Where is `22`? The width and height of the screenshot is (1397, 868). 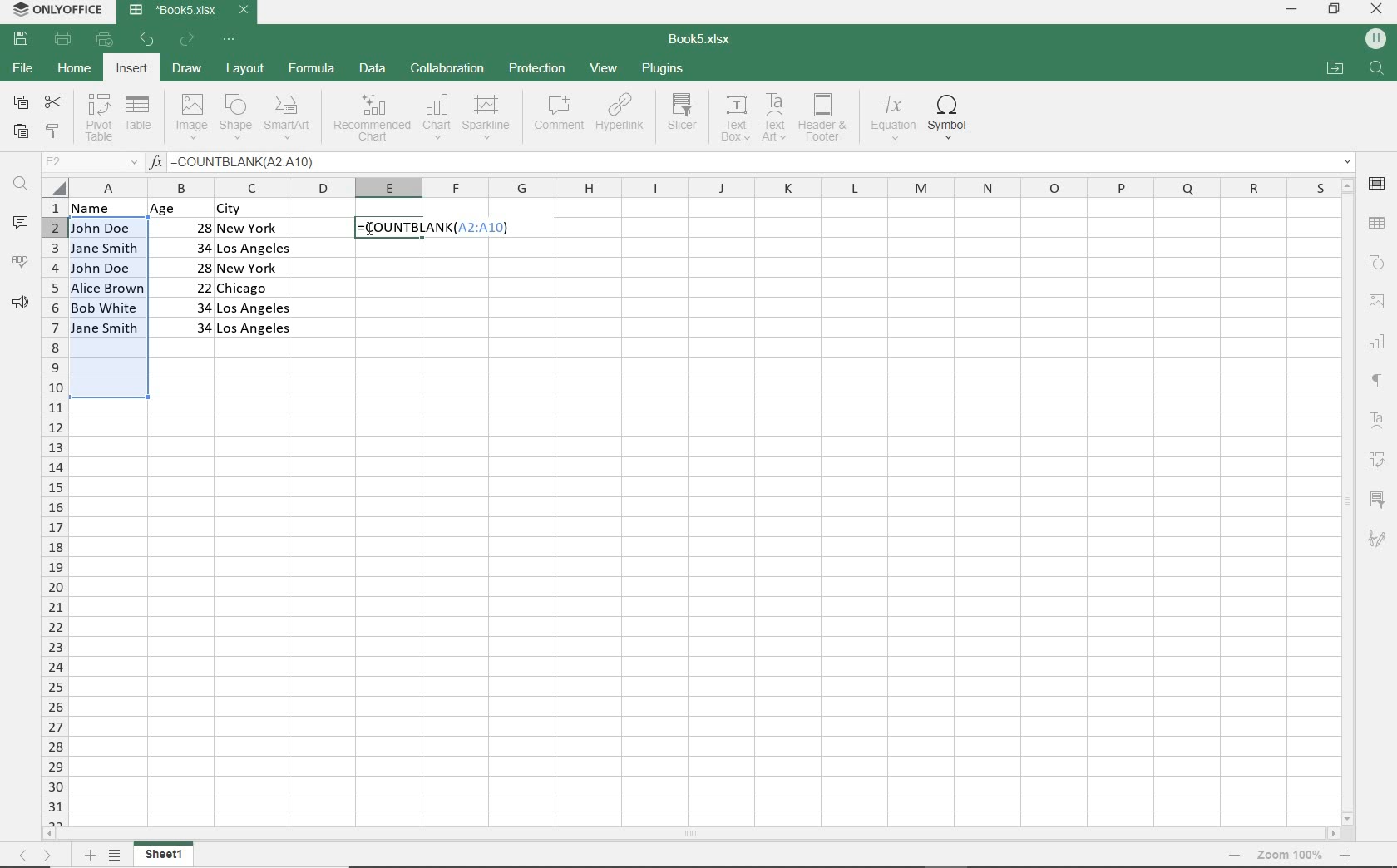 22 is located at coordinates (190, 286).